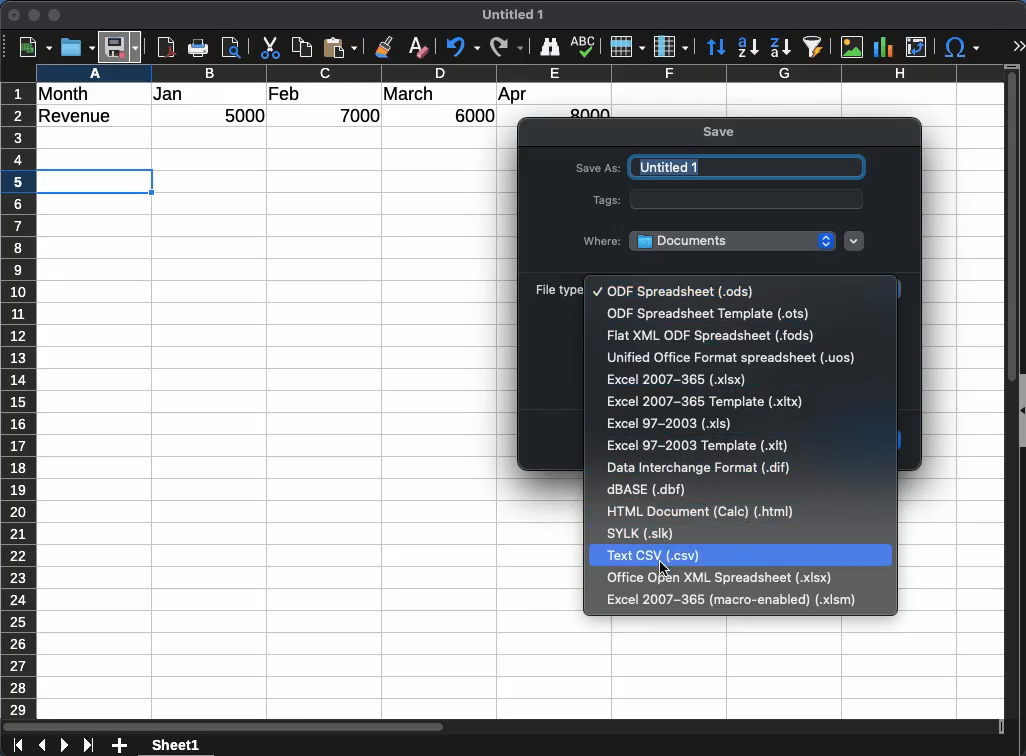 This screenshot has height=756, width=1026. I want to click on redo, so click(505, 47).